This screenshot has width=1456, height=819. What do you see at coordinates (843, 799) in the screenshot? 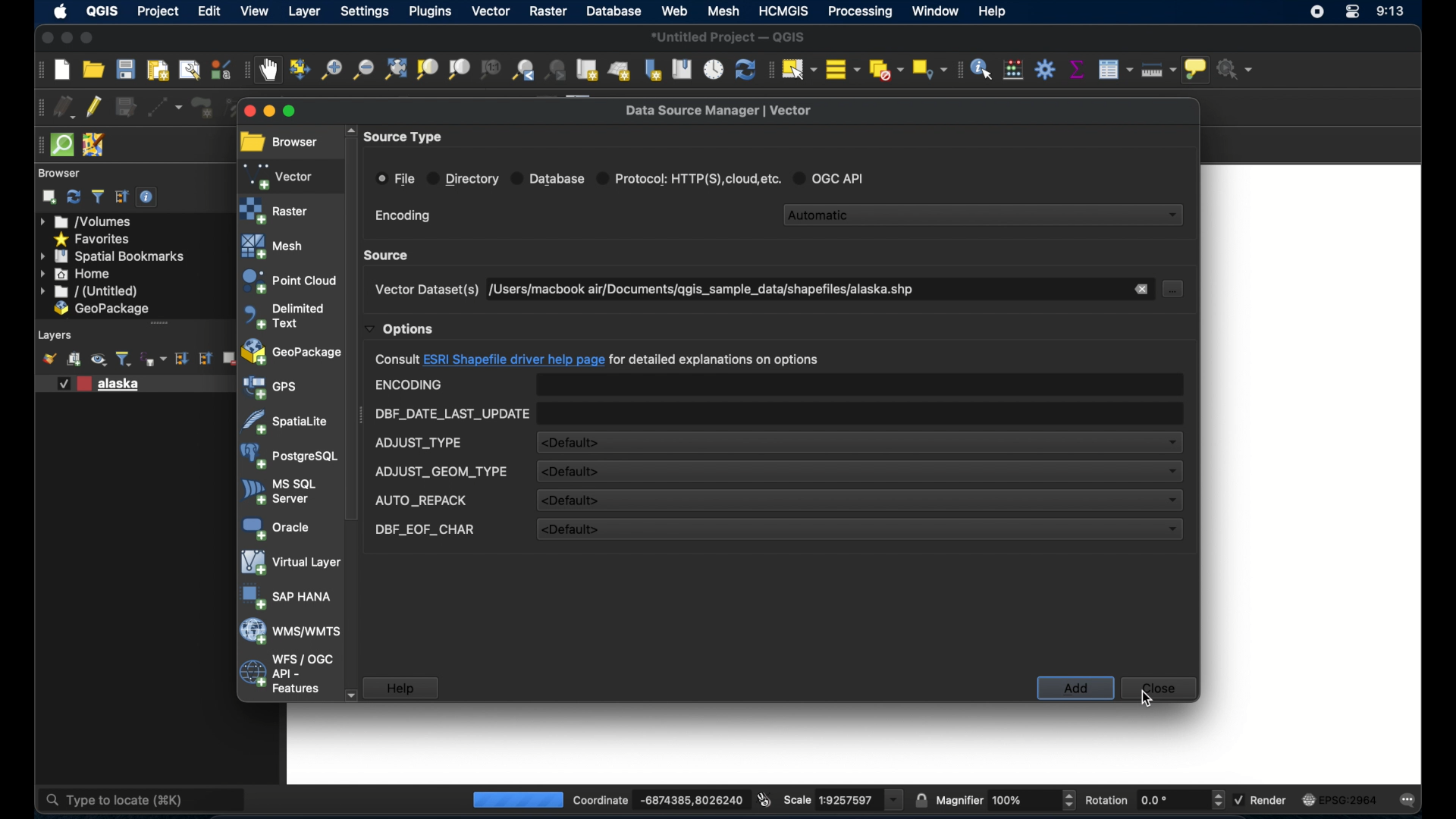
I see `scale` at bounding box center [843, 799].